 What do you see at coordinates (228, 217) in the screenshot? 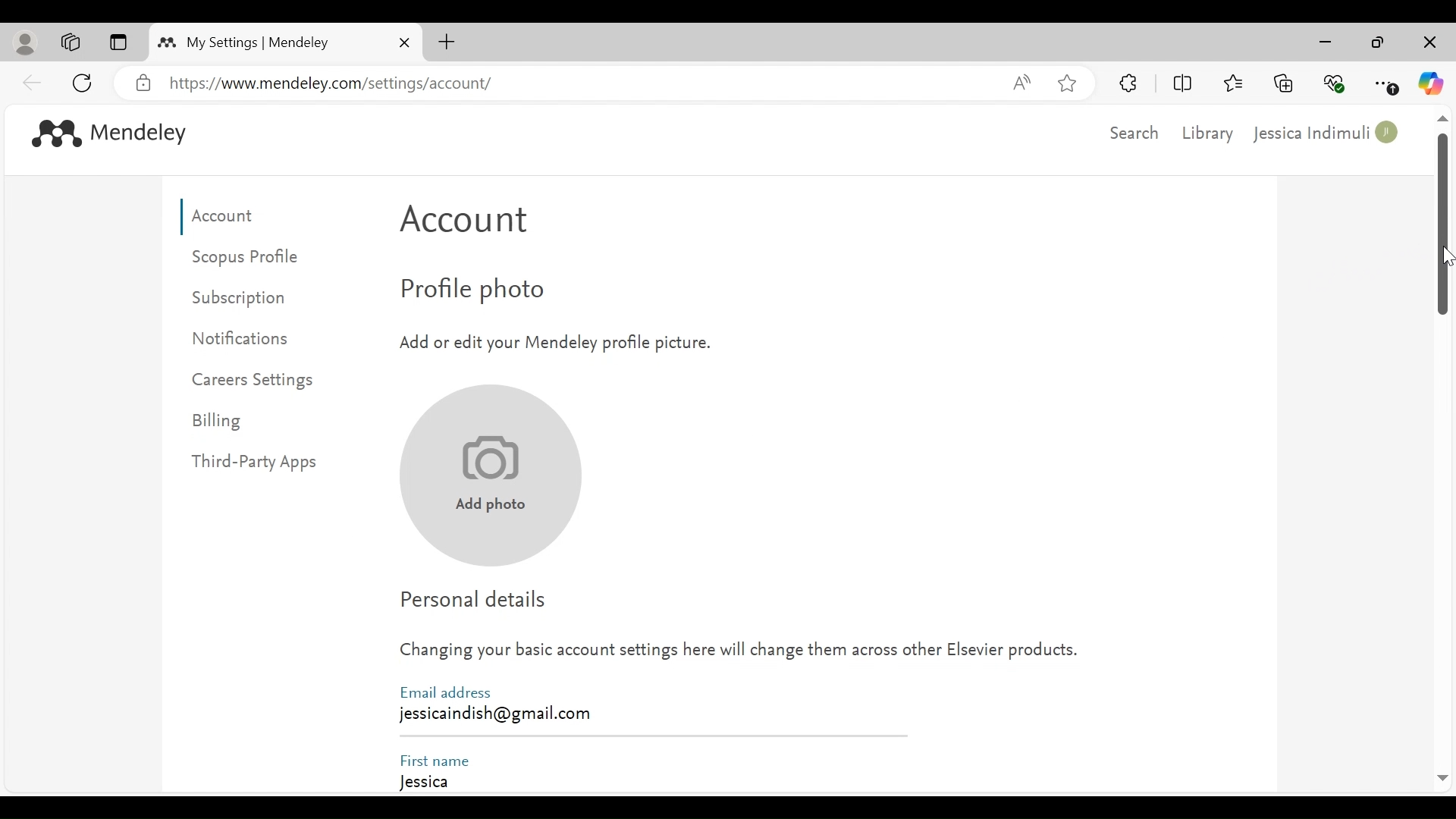
I see `Account` at bounding box center [228, 217].